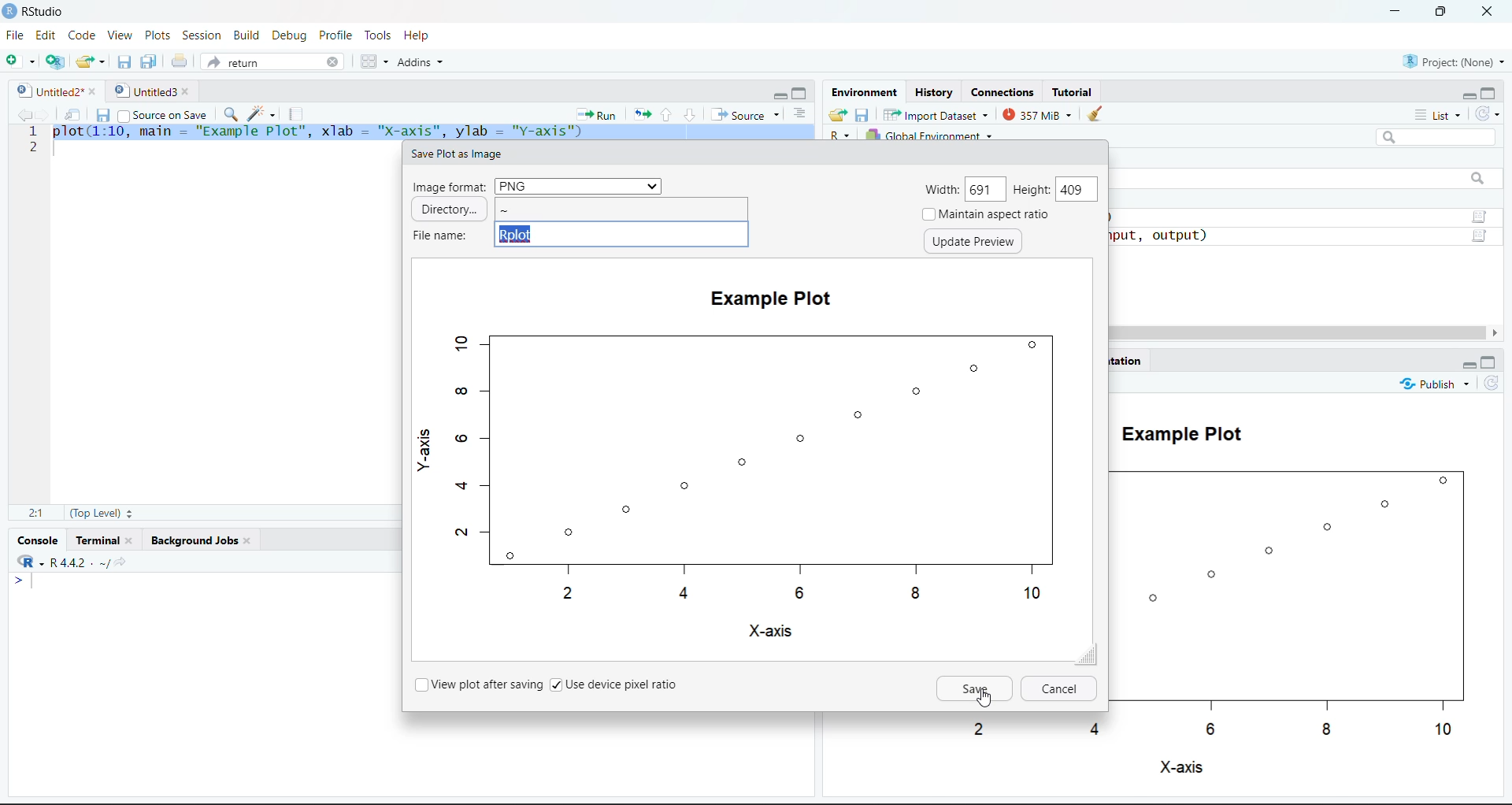 Image resolution: width=1512 pixels, height=805 pixels. Describe the element at coordinates (33, 141) in the screenshot. I see `1 2` at that location.